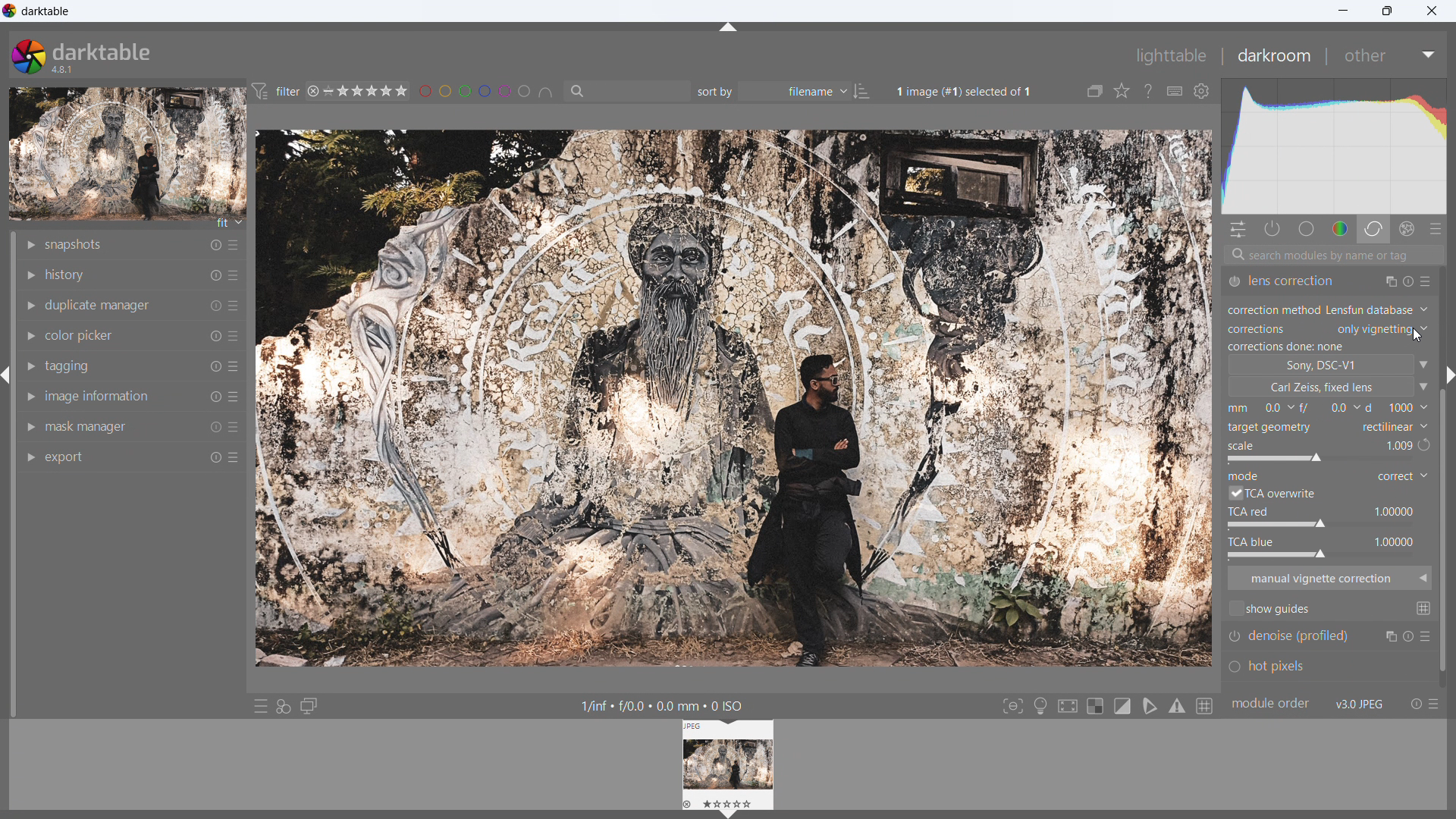 Image resolution: width=1456 pixels, height=819 pixels. I want to click on search modules, so click(1335, 256).